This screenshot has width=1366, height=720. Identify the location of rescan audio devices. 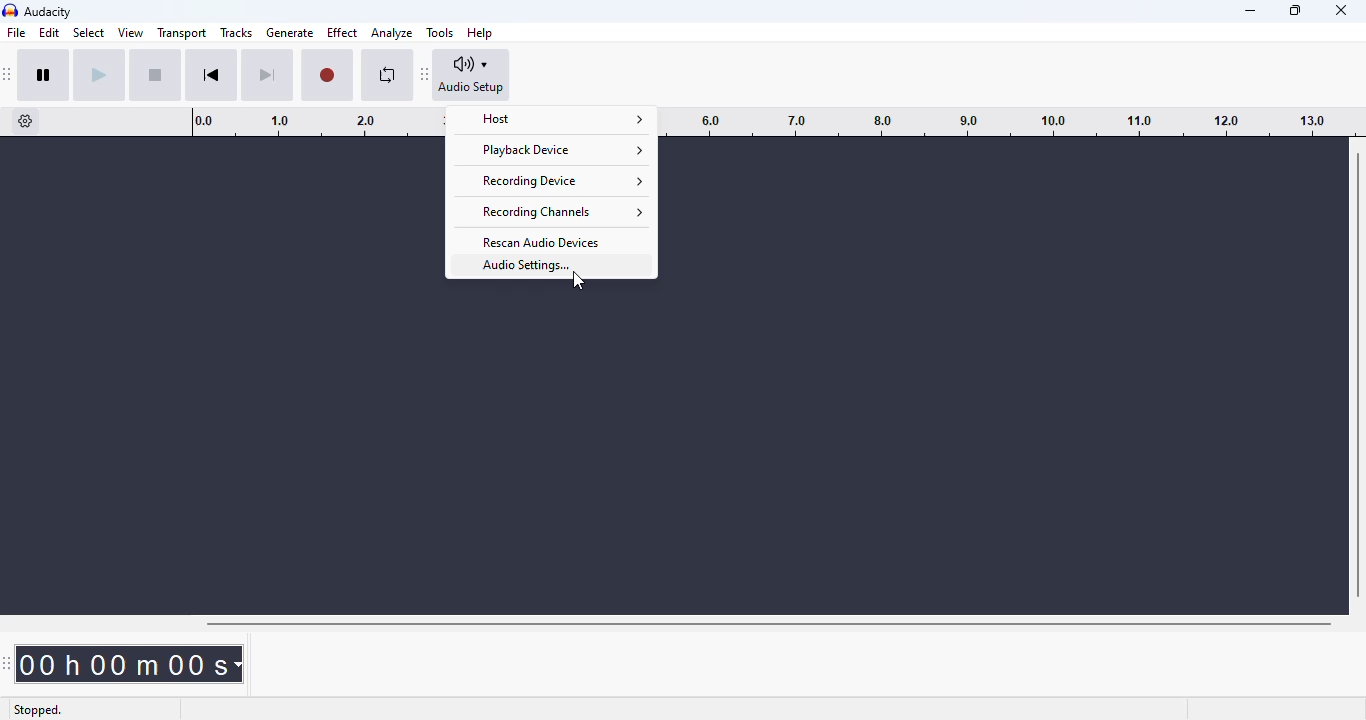
(552, 240).